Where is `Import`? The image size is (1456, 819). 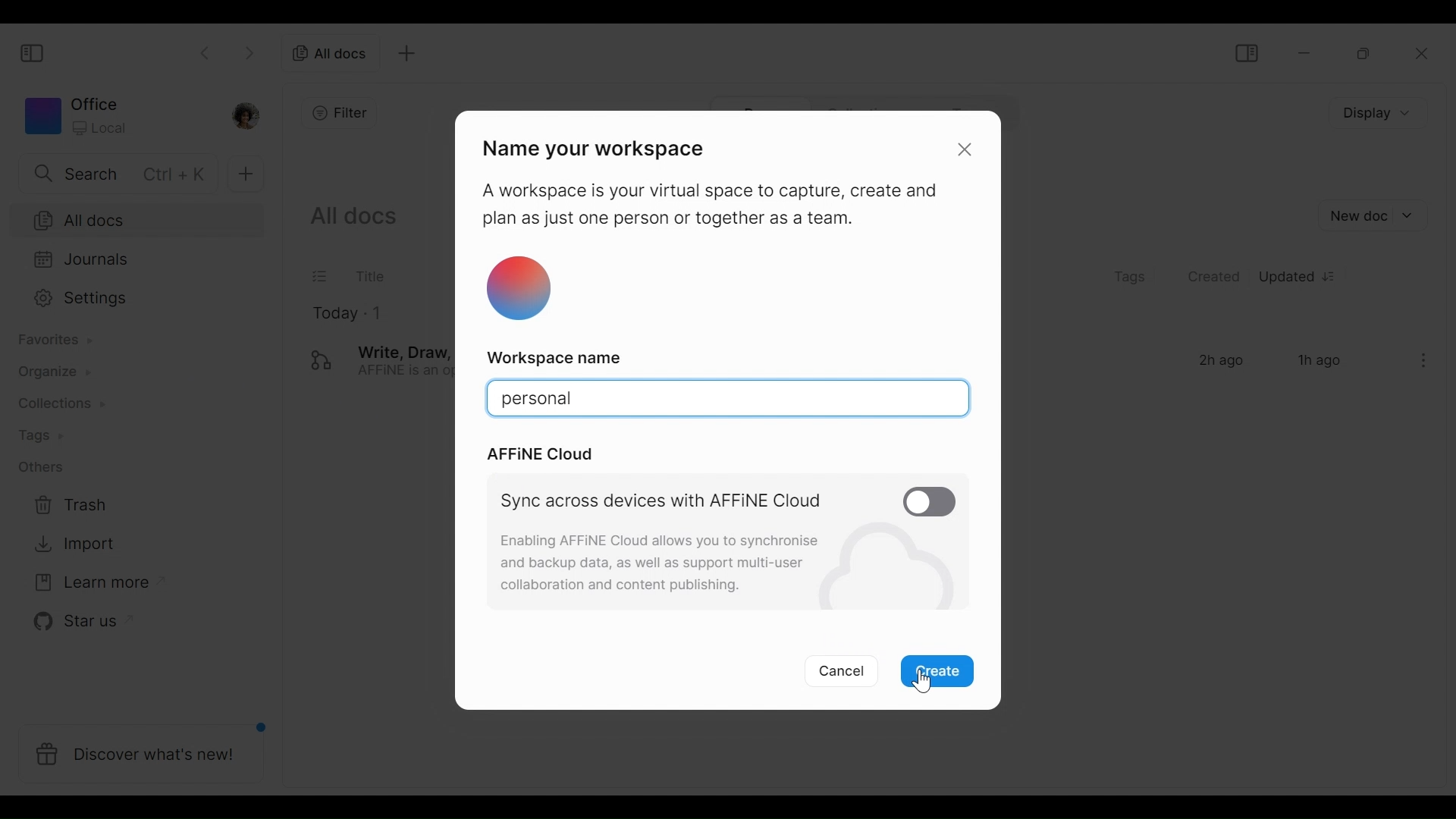
Import is located at coordinates (67, 545).